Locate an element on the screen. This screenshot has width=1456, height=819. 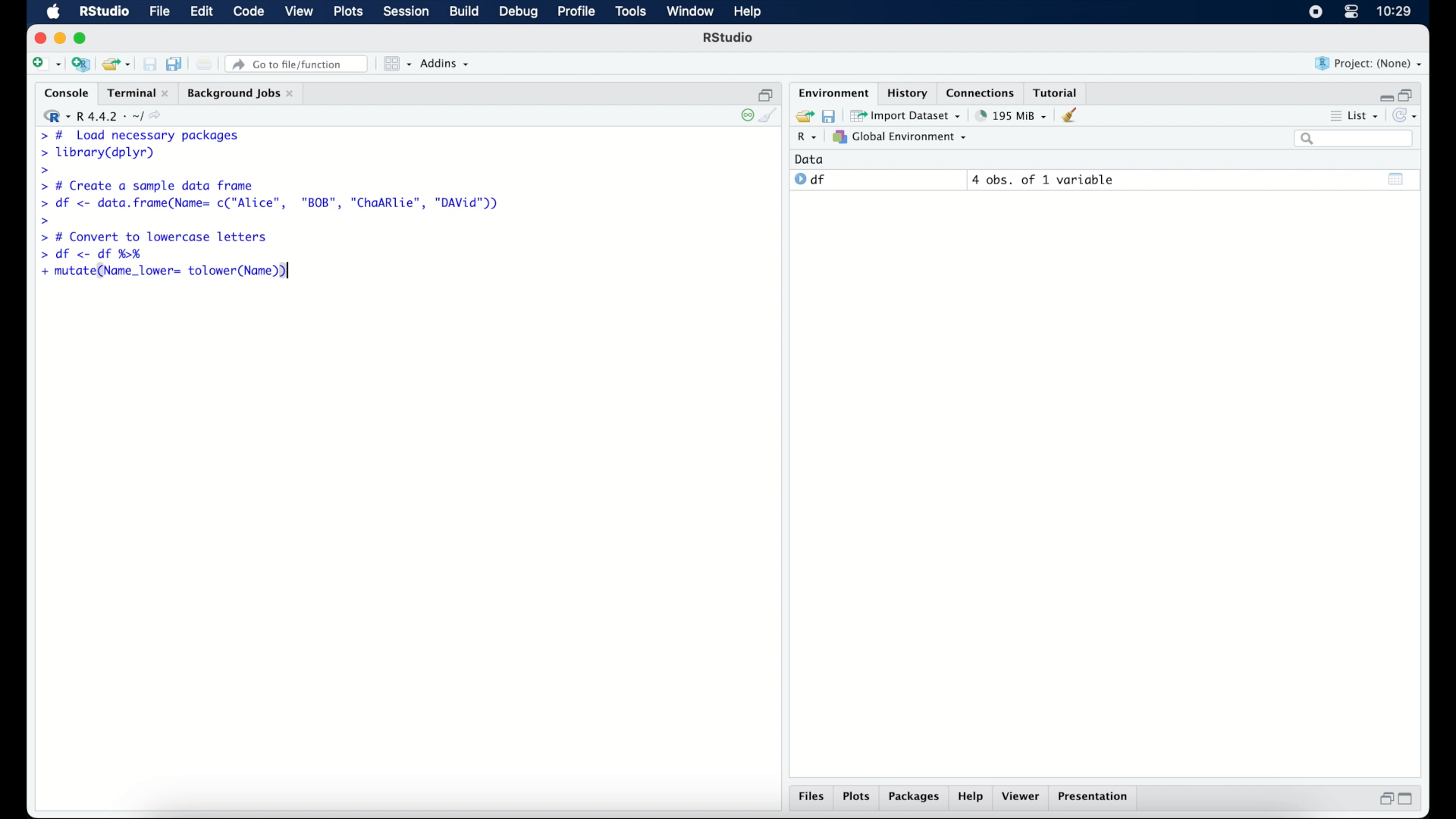
help is located at coordinates (971, 799).